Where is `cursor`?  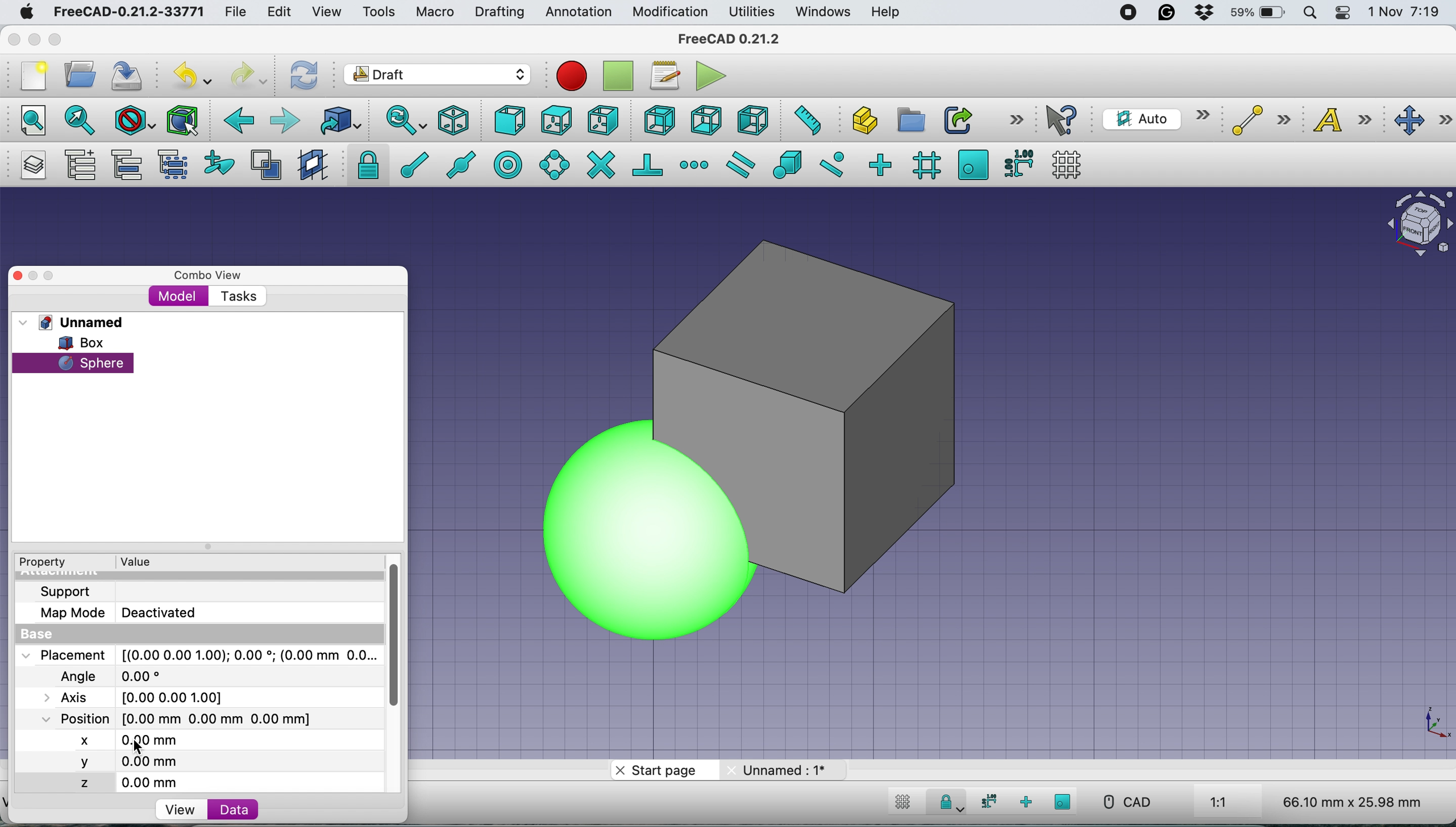 cursor is located at coordinates (140, 747).